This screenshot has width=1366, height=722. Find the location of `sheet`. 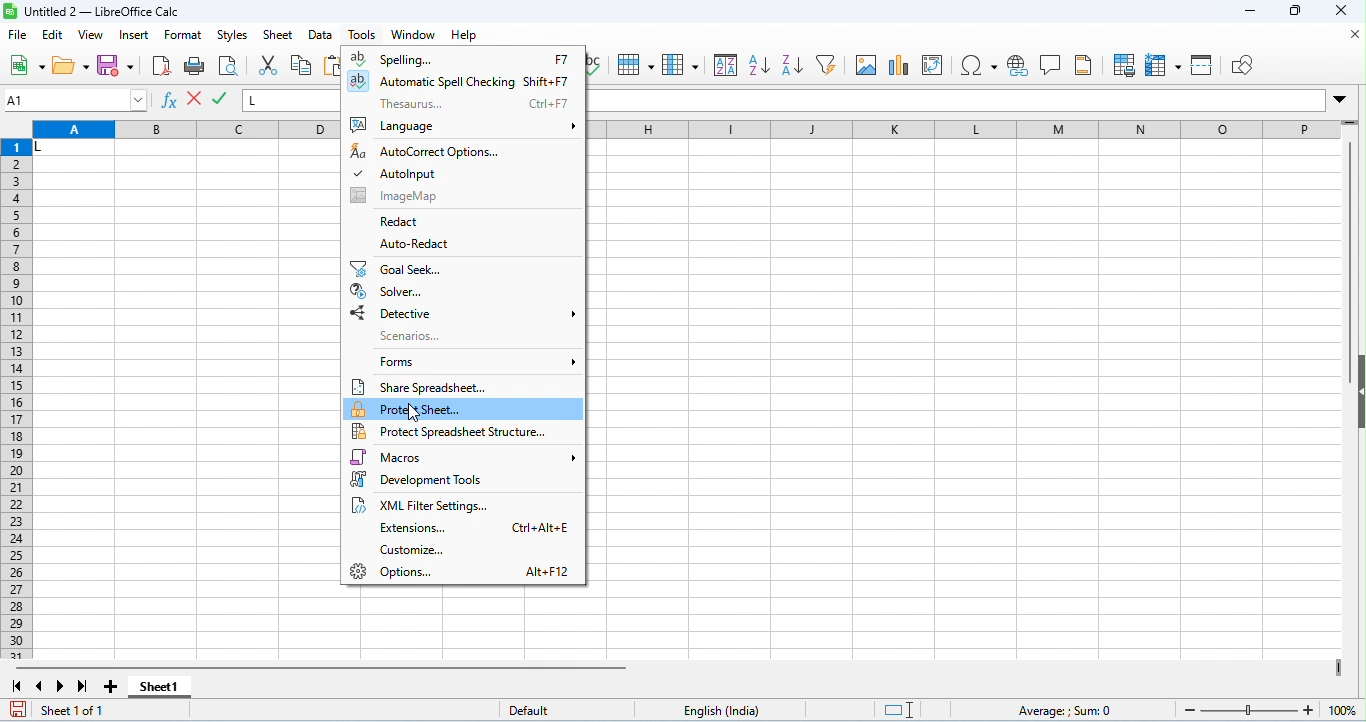

sheet is located at coordinates (278, 35).